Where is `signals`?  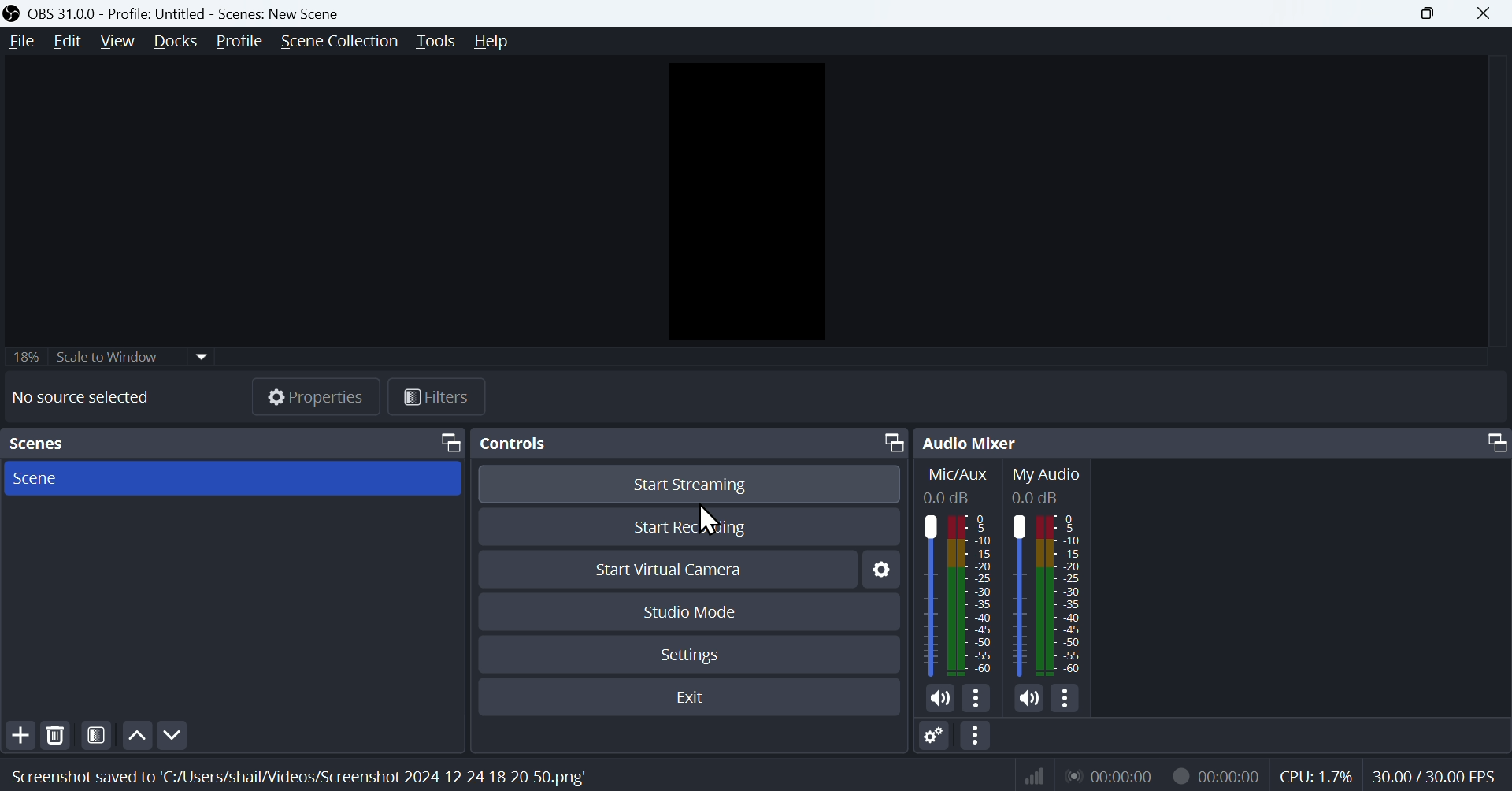
signals is located at coordinates (1028, 774).